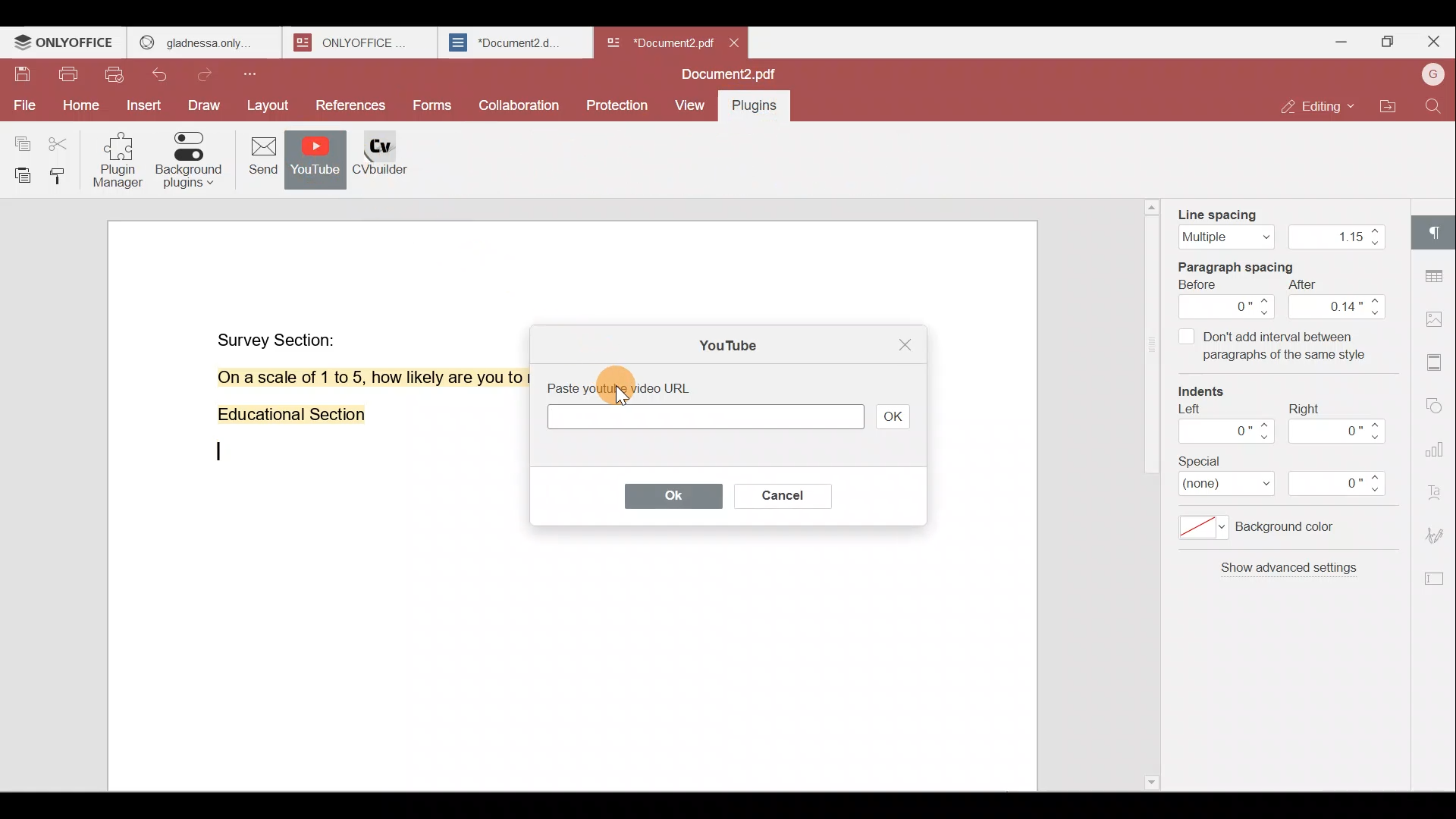 The width and height of the screenshot is (1456, 819). Describe the element at coordinates (1320, 106) in the screenshot. I see `Editing mode` at that location.